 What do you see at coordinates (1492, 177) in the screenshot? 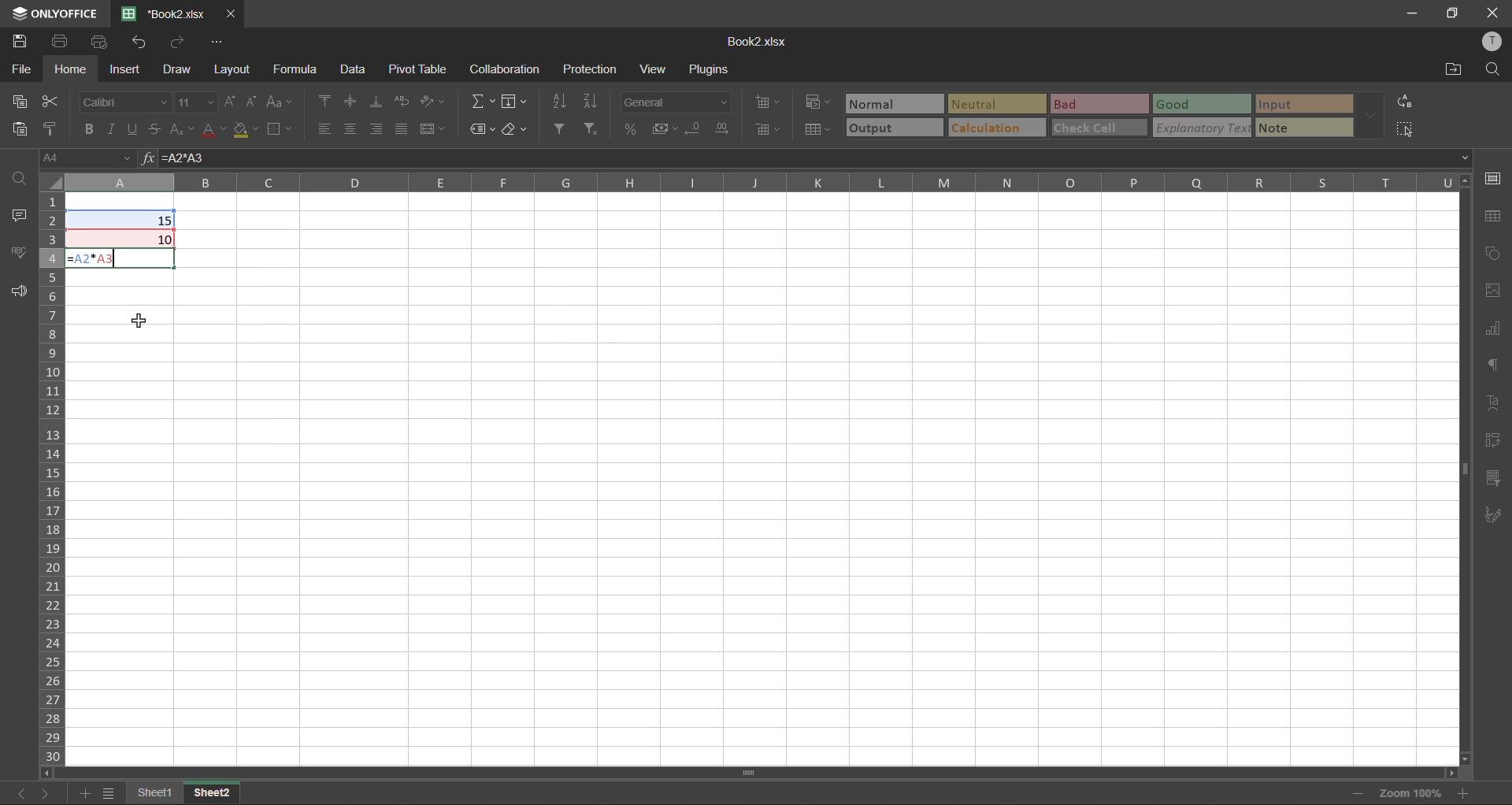
I see `cell settings` at bounding box center [1492, 177].